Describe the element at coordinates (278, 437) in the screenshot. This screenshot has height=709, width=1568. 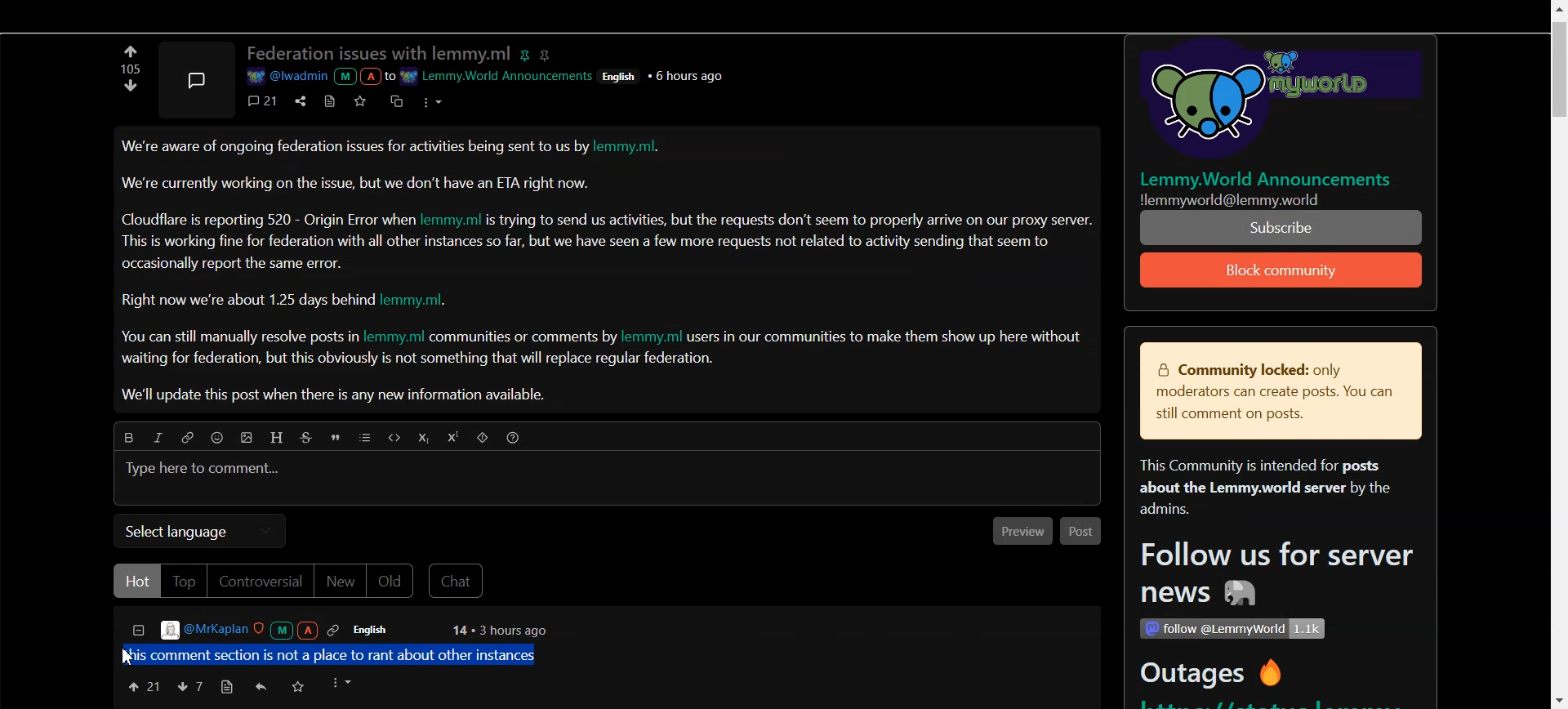
I see `Header` at that location.